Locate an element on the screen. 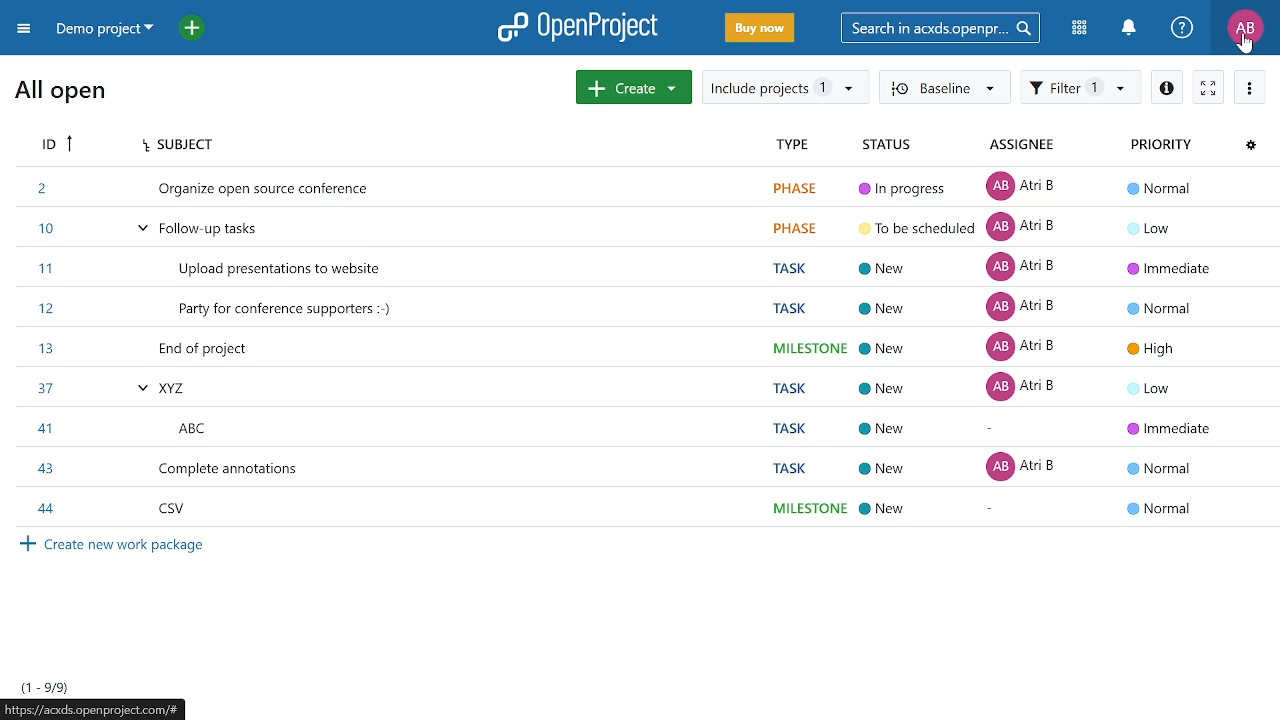 Image resolution: width=1280 pixels, height=720 pixels. cursor is located at coordinates (1234, 45).